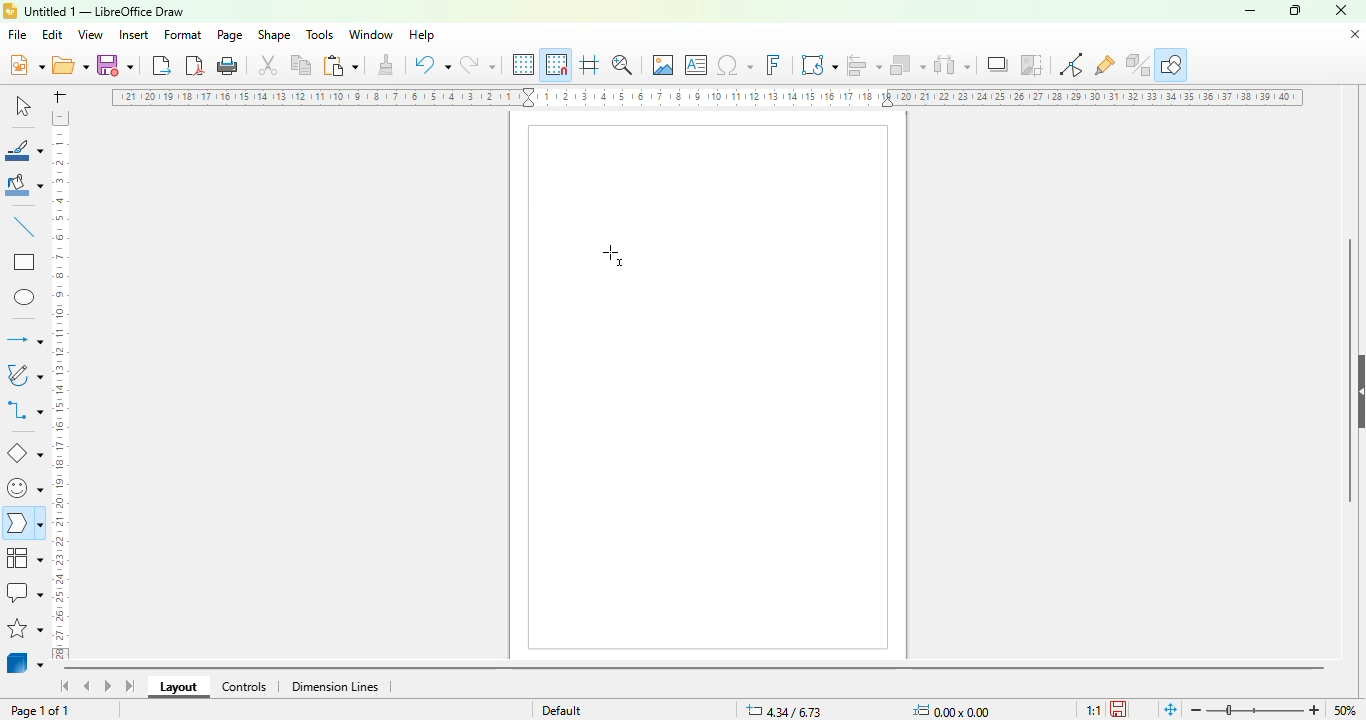 Image resolution: width=1366 pixels, height=720 pixels. Describe the element at coordinates (1250, 12) in the screenshot. I see `minimize` at that location.